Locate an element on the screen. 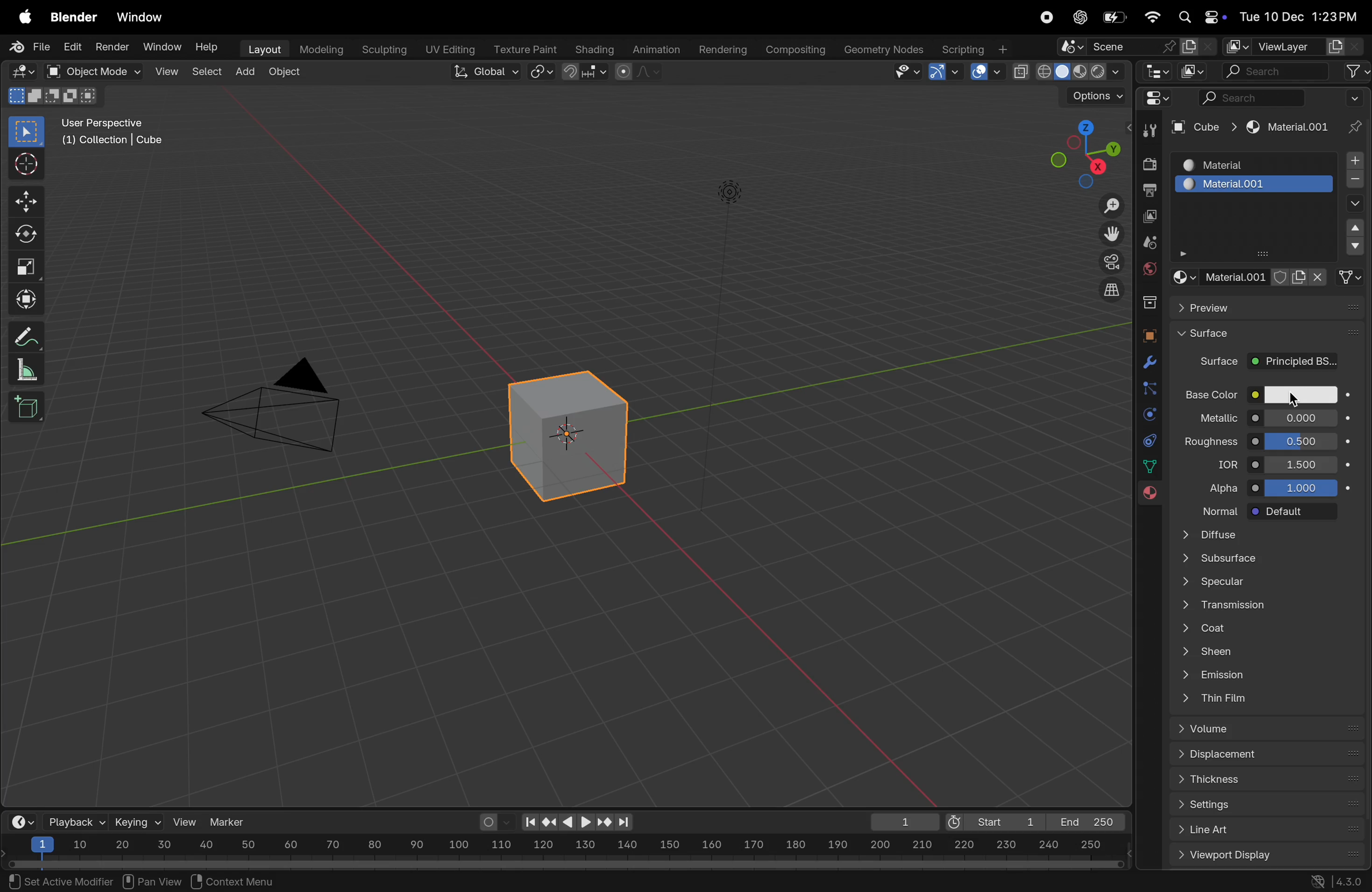 The image size is (1372, 892). sheen is located at coordinates (1273, 651).